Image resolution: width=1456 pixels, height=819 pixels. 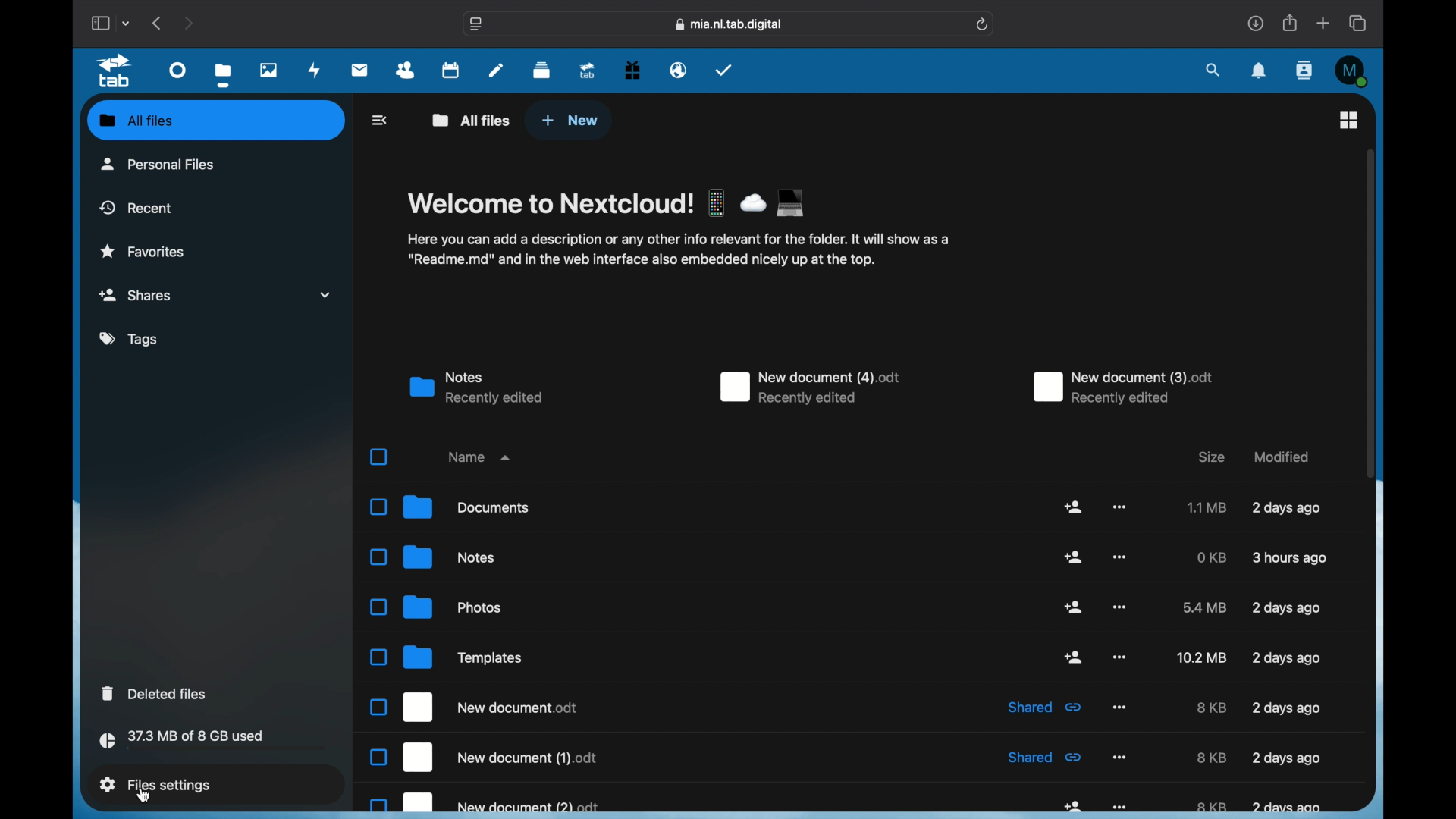 What do you see at coordinates (161, 163) in the screenshot?
I see `personal files` at bounding box center [161, 163].